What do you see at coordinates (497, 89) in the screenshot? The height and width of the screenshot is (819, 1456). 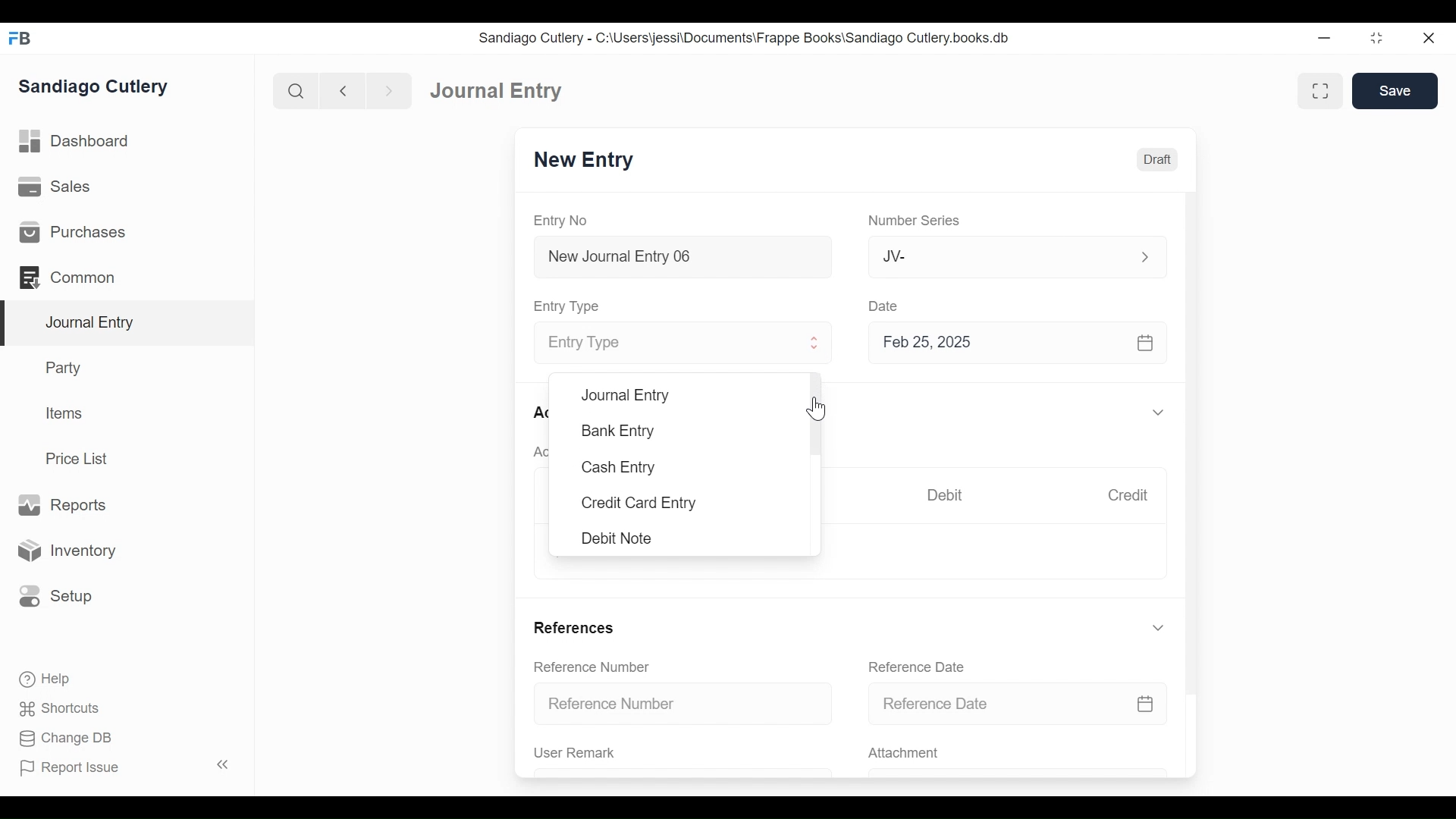 I see `Journal Entry` at bounding box center [497, 89].